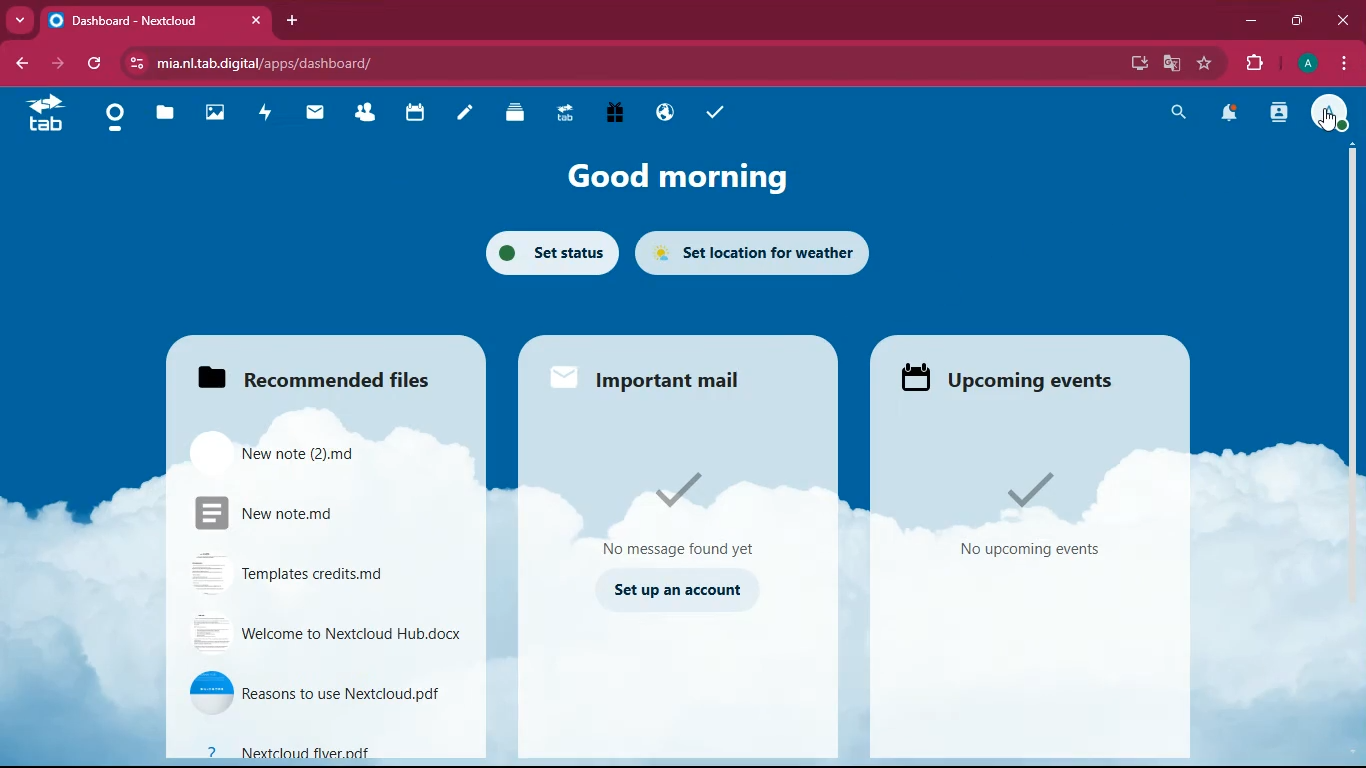 Image resolution: width=1366 pixels, height=768 pixels. What do you see at coordinates (469, 117) in the screenshot?
I see `notes` at bounding box center [469, 117].